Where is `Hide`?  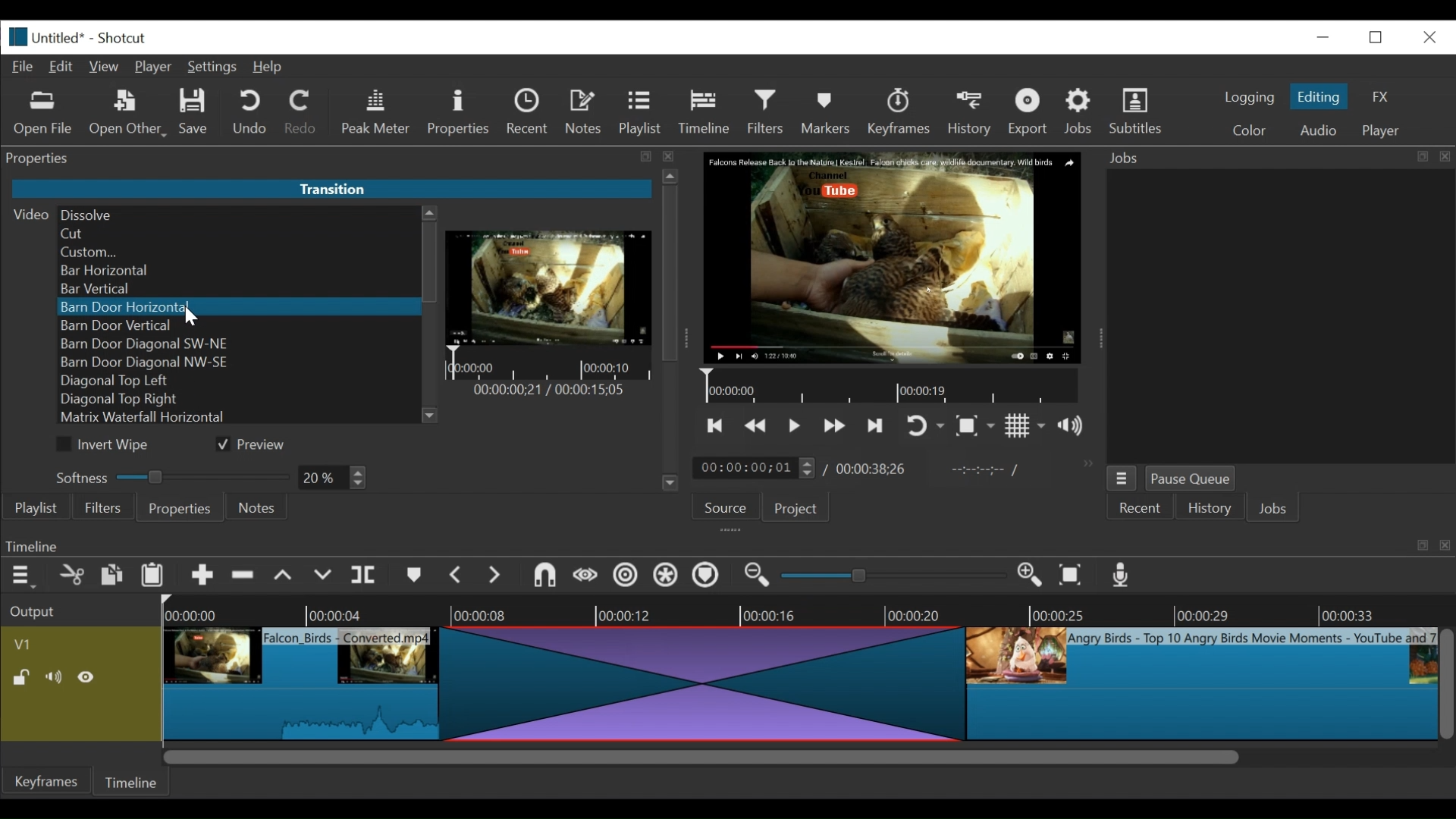 Hide is located at coordinates (90, 677).